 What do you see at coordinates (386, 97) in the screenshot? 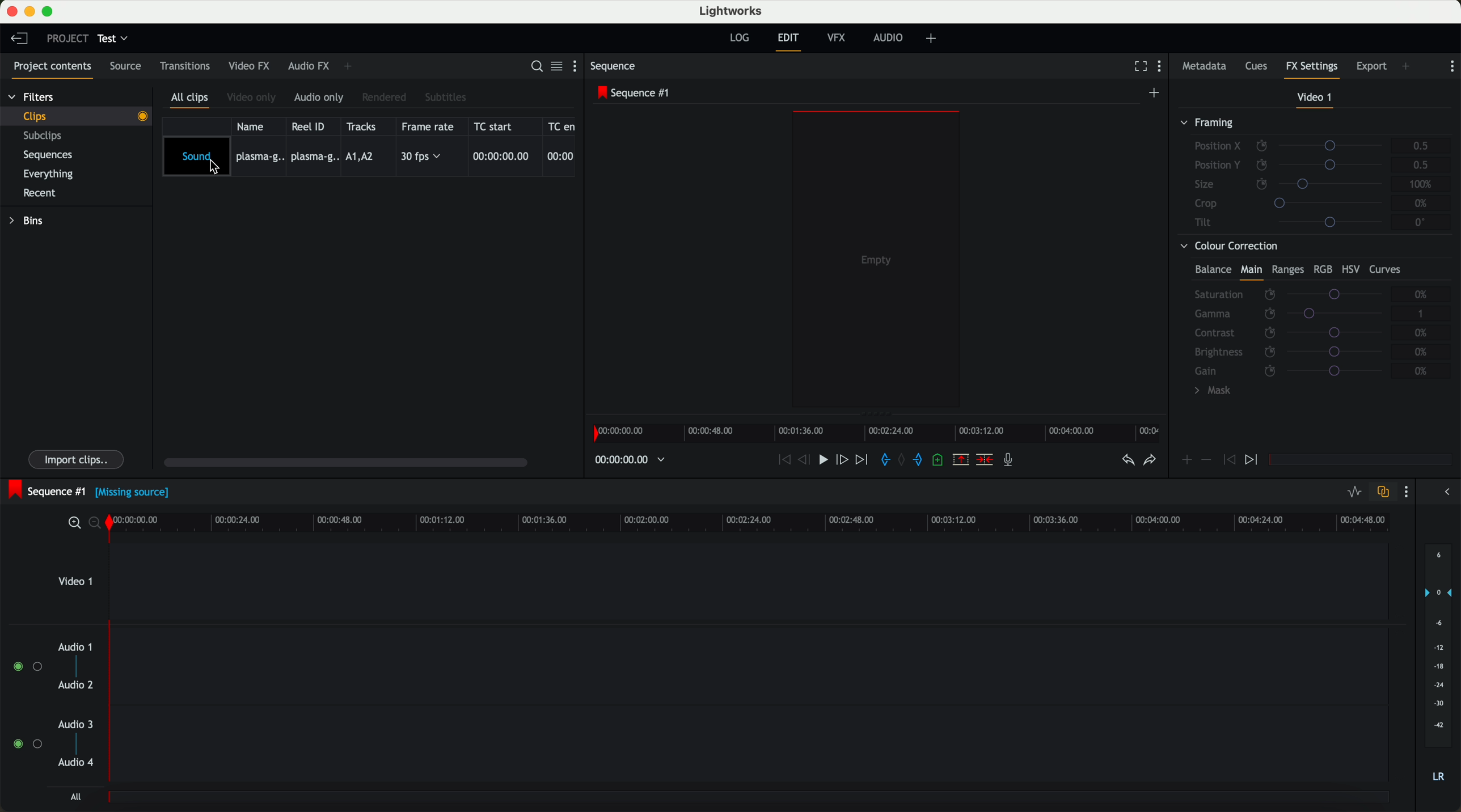
I see `rendered` at bounding box center [386, 97].